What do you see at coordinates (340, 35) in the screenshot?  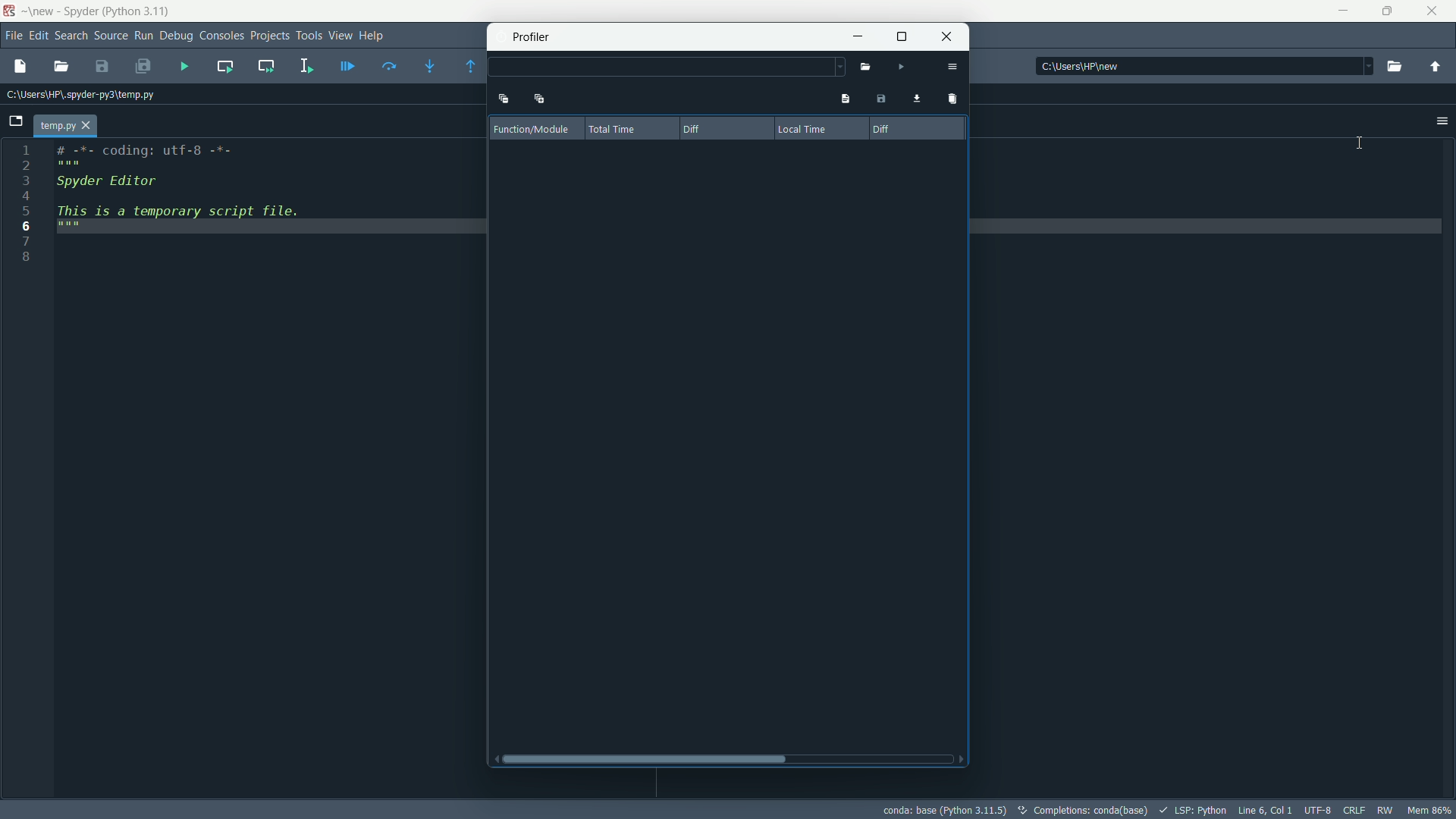 I see `view menu` at bounding box center [340, 35].